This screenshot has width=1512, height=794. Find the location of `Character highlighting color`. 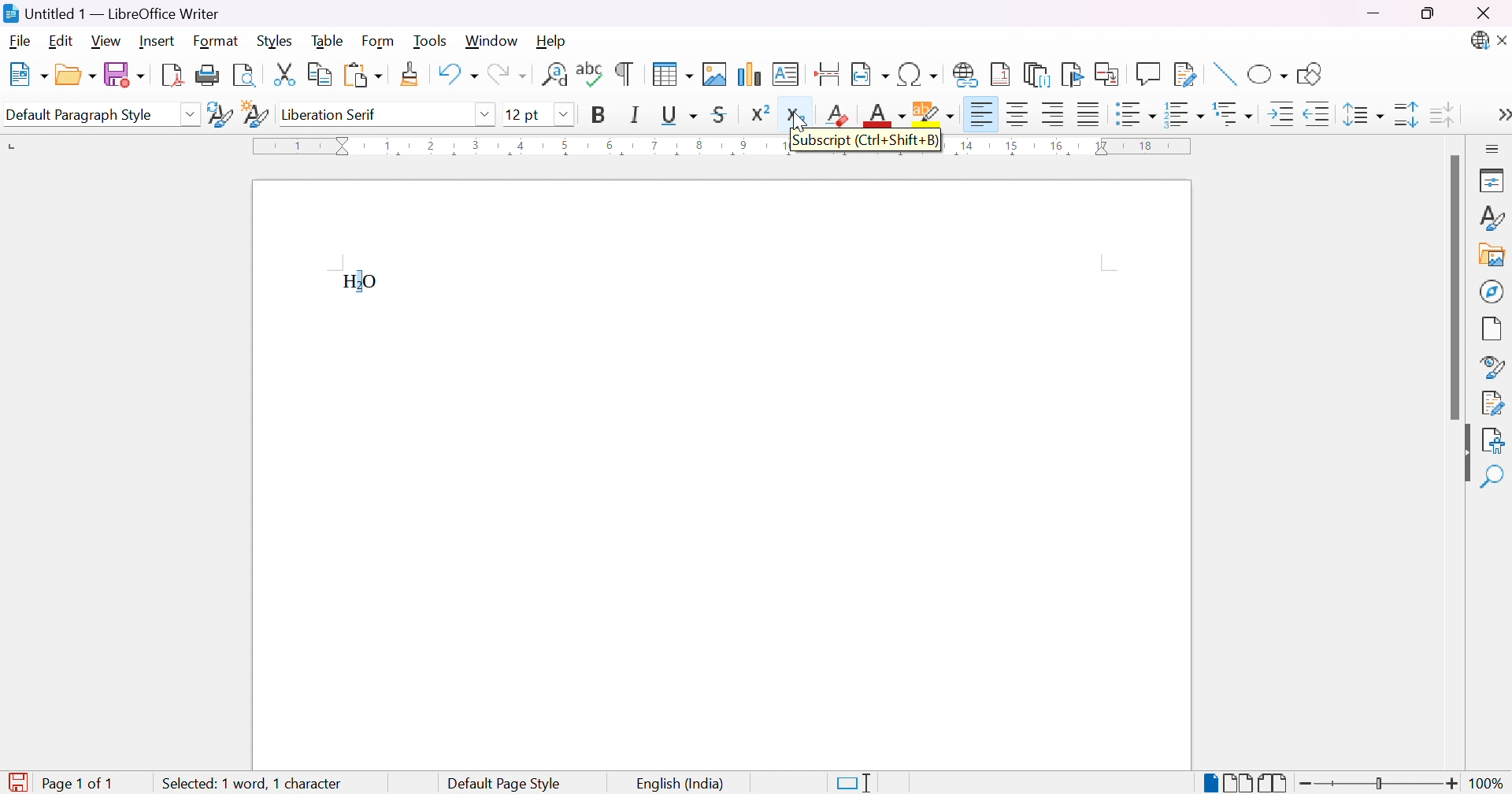

Character highlighting color is located at coordinates (935, 114).